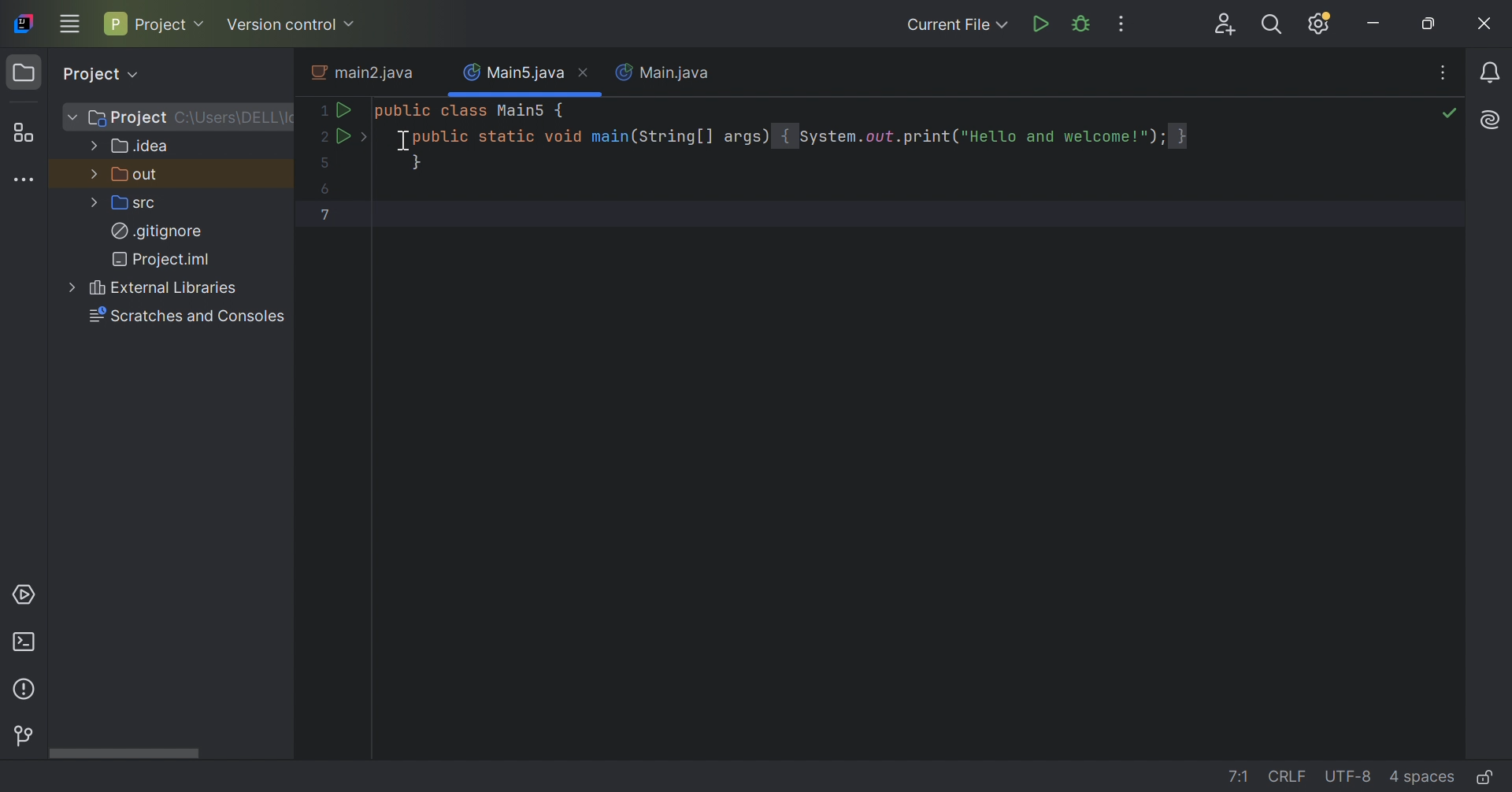  I want to click on Problems, so click(26, 690).